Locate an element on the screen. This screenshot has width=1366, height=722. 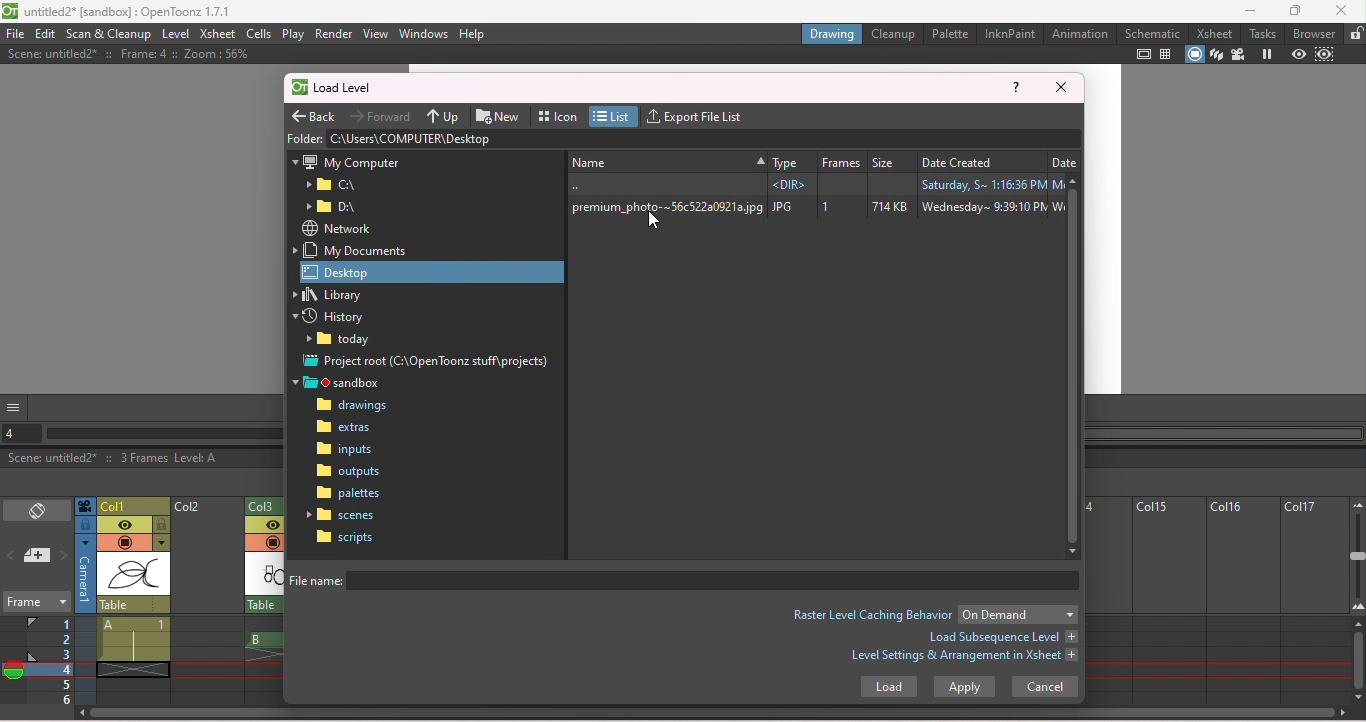
Folder is located at coordinates (332, 185).